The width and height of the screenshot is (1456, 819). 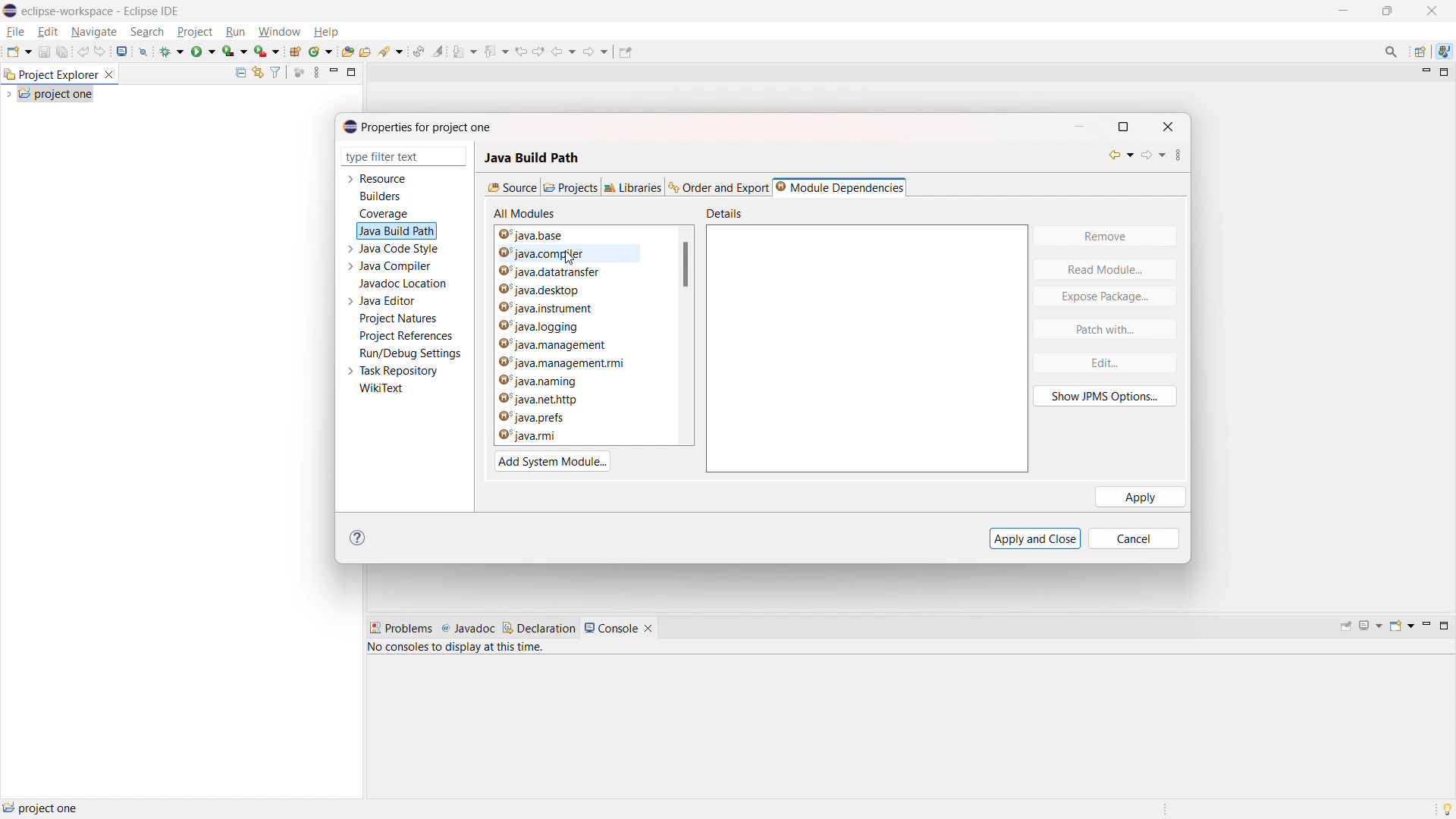 What do you see at coordinates (1424, 73) in the screenshot?
I see `minimize` at bounding box center [1424, 73].